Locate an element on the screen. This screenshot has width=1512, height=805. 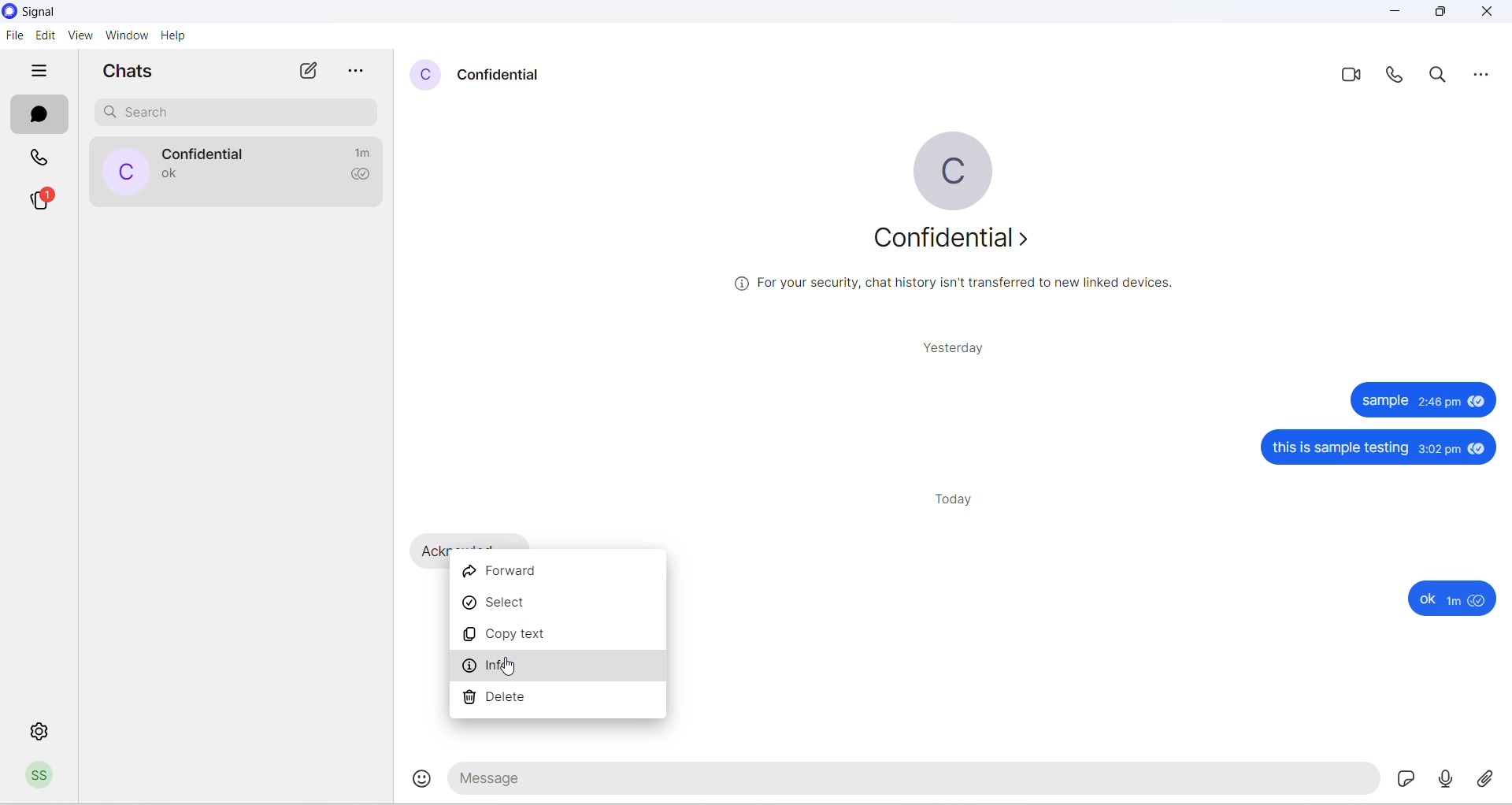
calls is located at coordinates (36, 156).